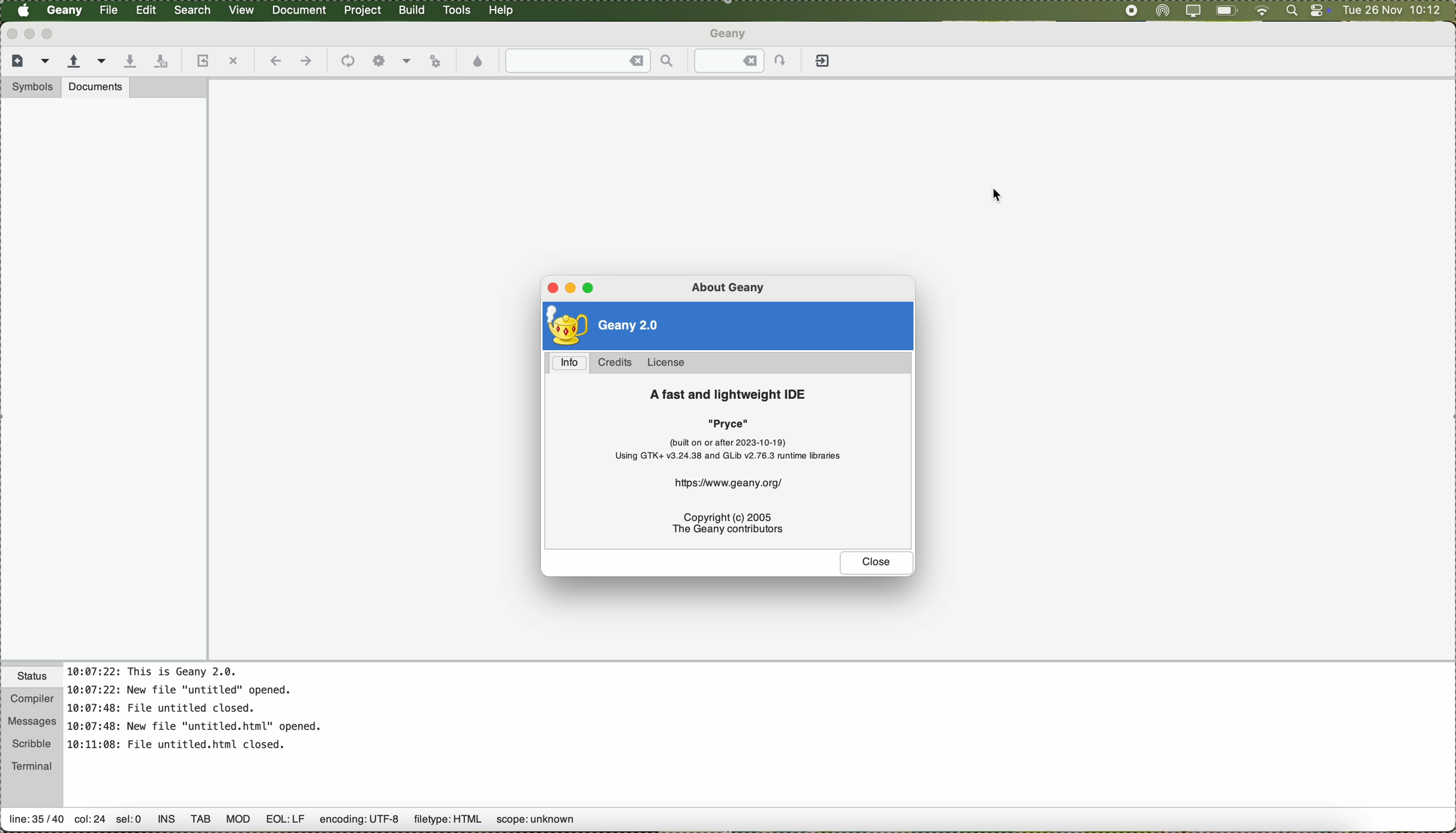 The width and height of the screenshot is (1456, 833). I want to click on Time and history of files, so click(197, 710).